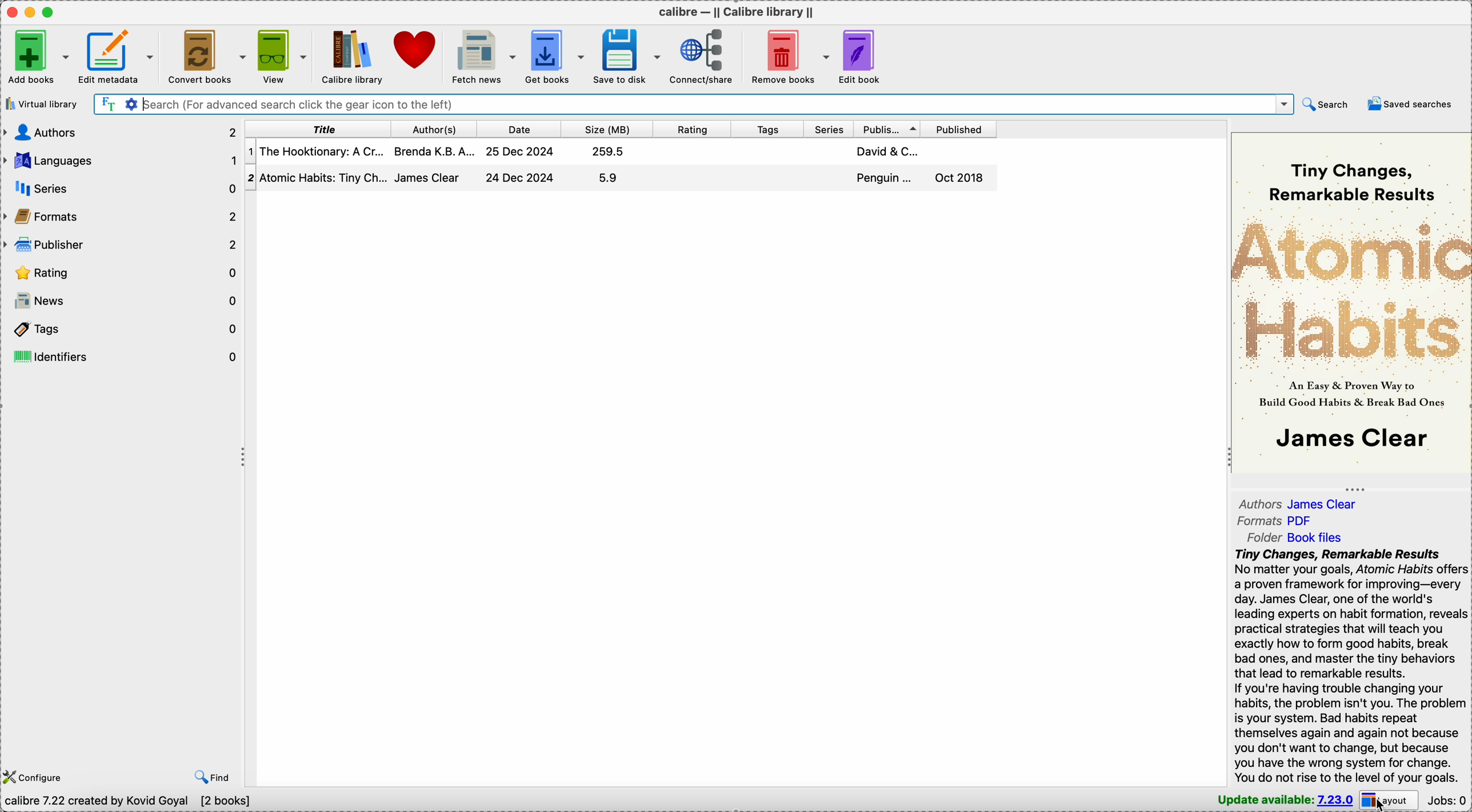 The height and width of the screenshot is (812, 1472). Describe the element at coordinates (251, 178) in the screenshot. I see `2` at that location.